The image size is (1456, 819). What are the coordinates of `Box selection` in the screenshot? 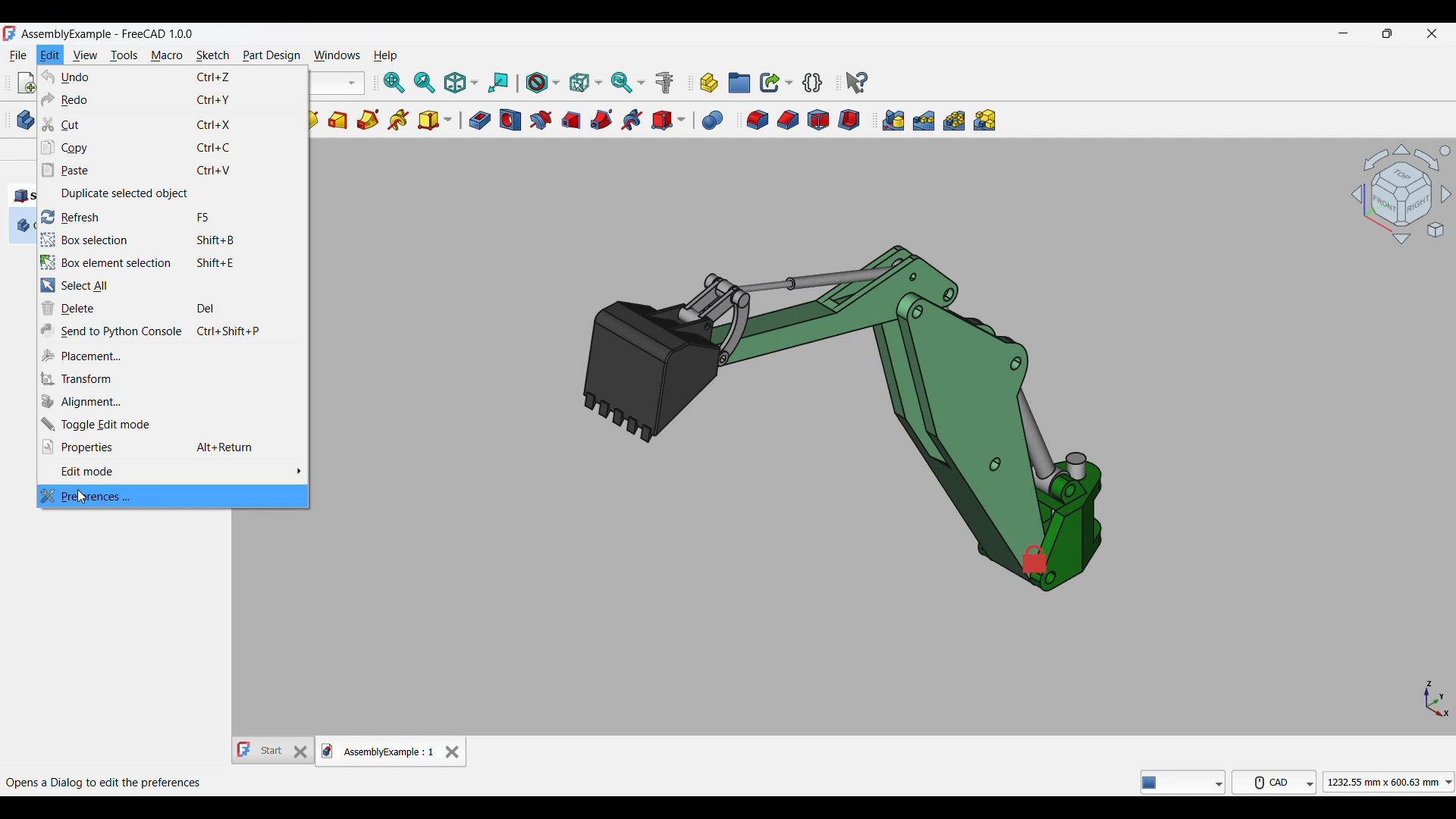 It's located at (173, 240).